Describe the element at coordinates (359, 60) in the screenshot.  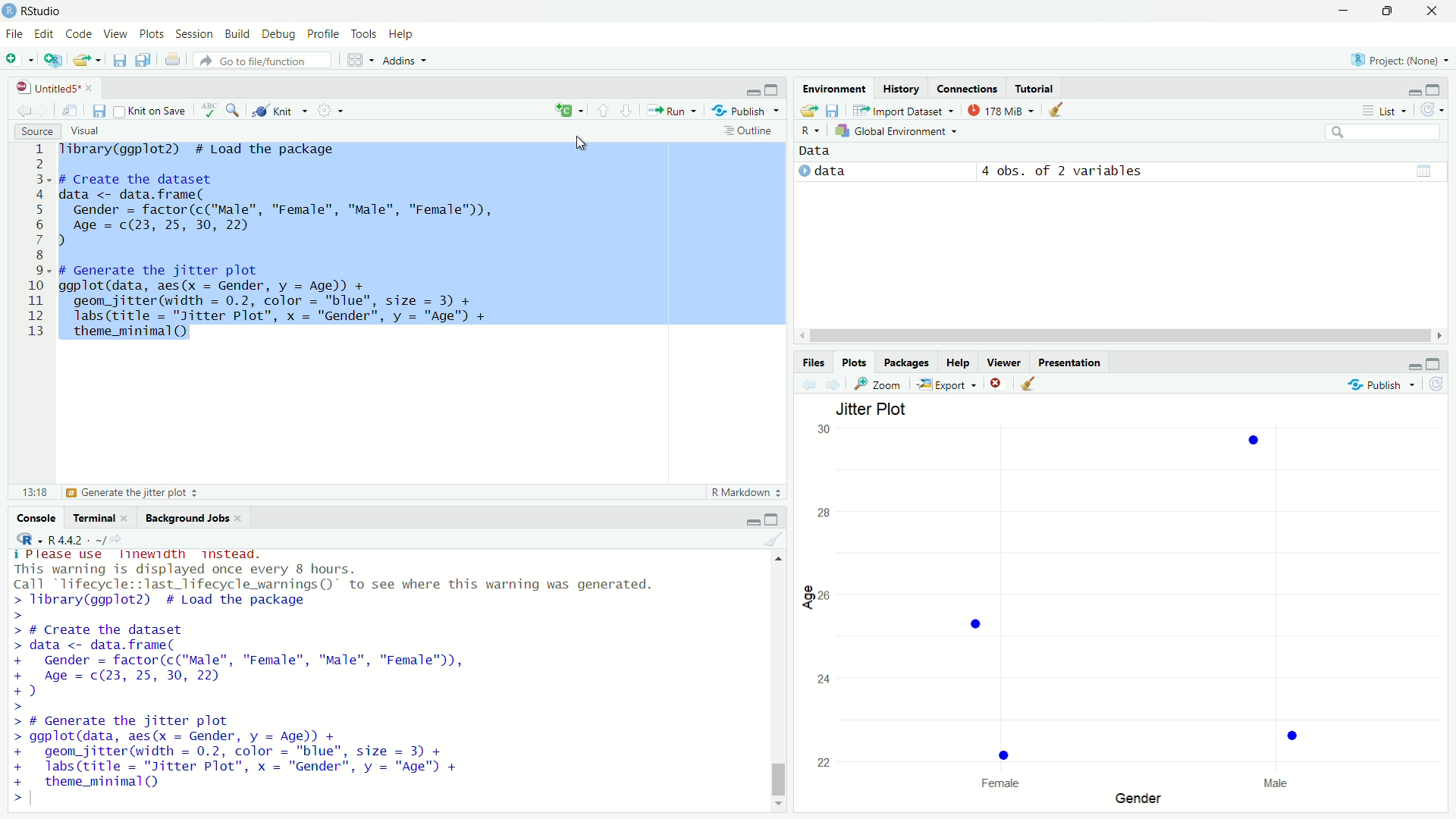
I see `workspace panes` at that location.